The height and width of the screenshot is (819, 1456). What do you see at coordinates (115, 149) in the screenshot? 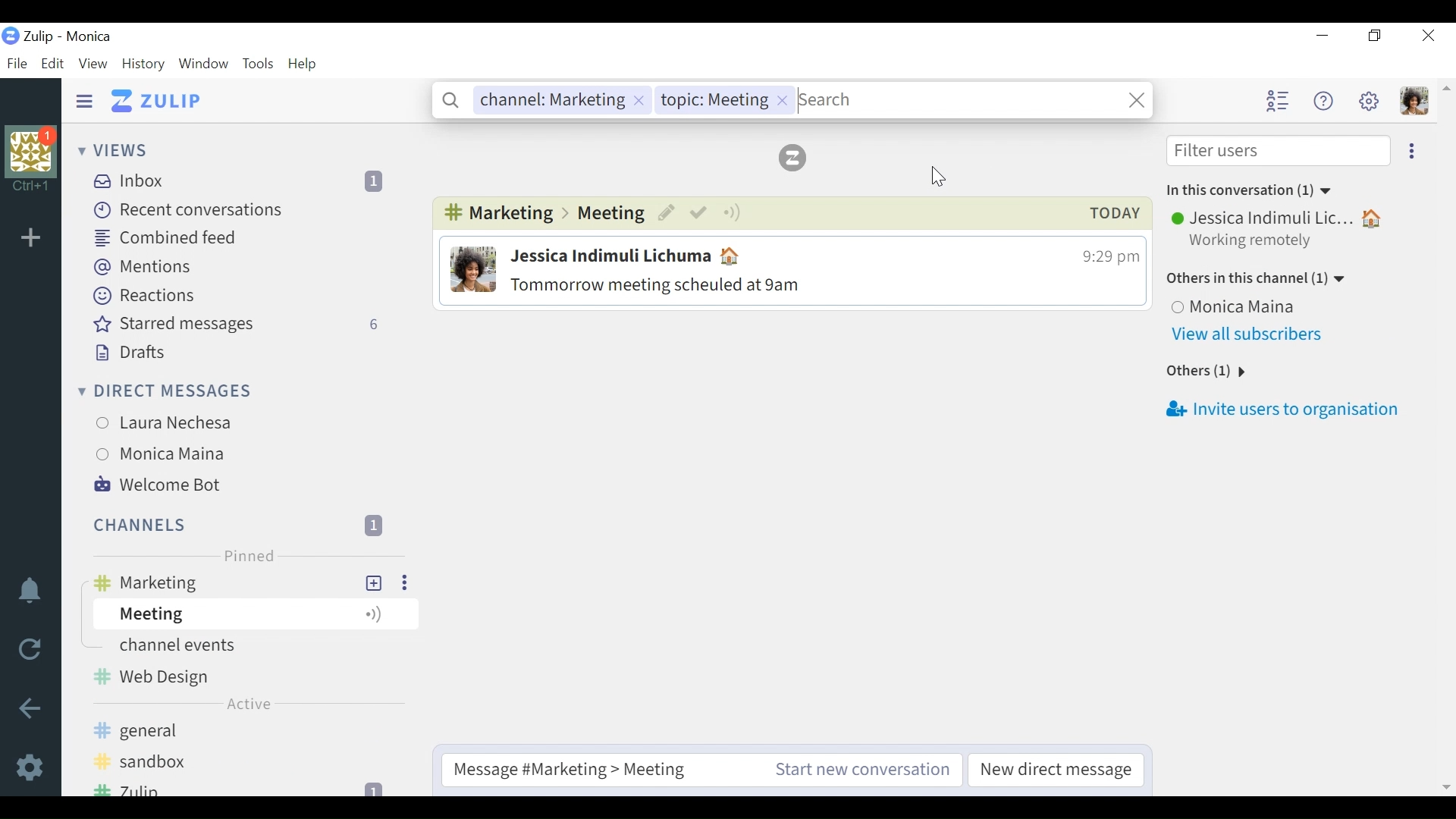
I see `Views` at bounding box center [115, 149].